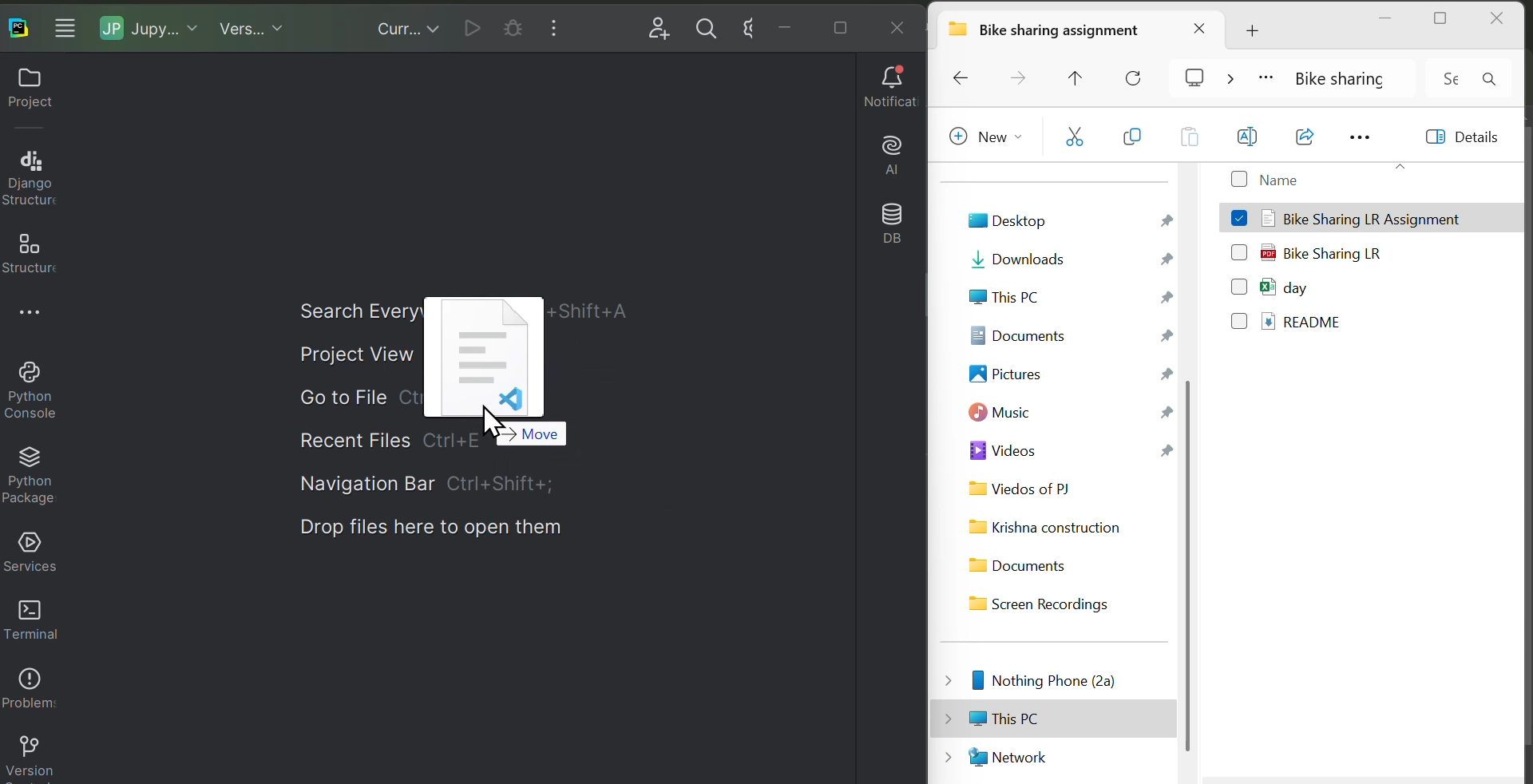 This screenshot has height=784, width=1533. What do you see at coordinates (1083, 77) in the screenshot?
I see `Move up` at bounding box center [1083, 77].